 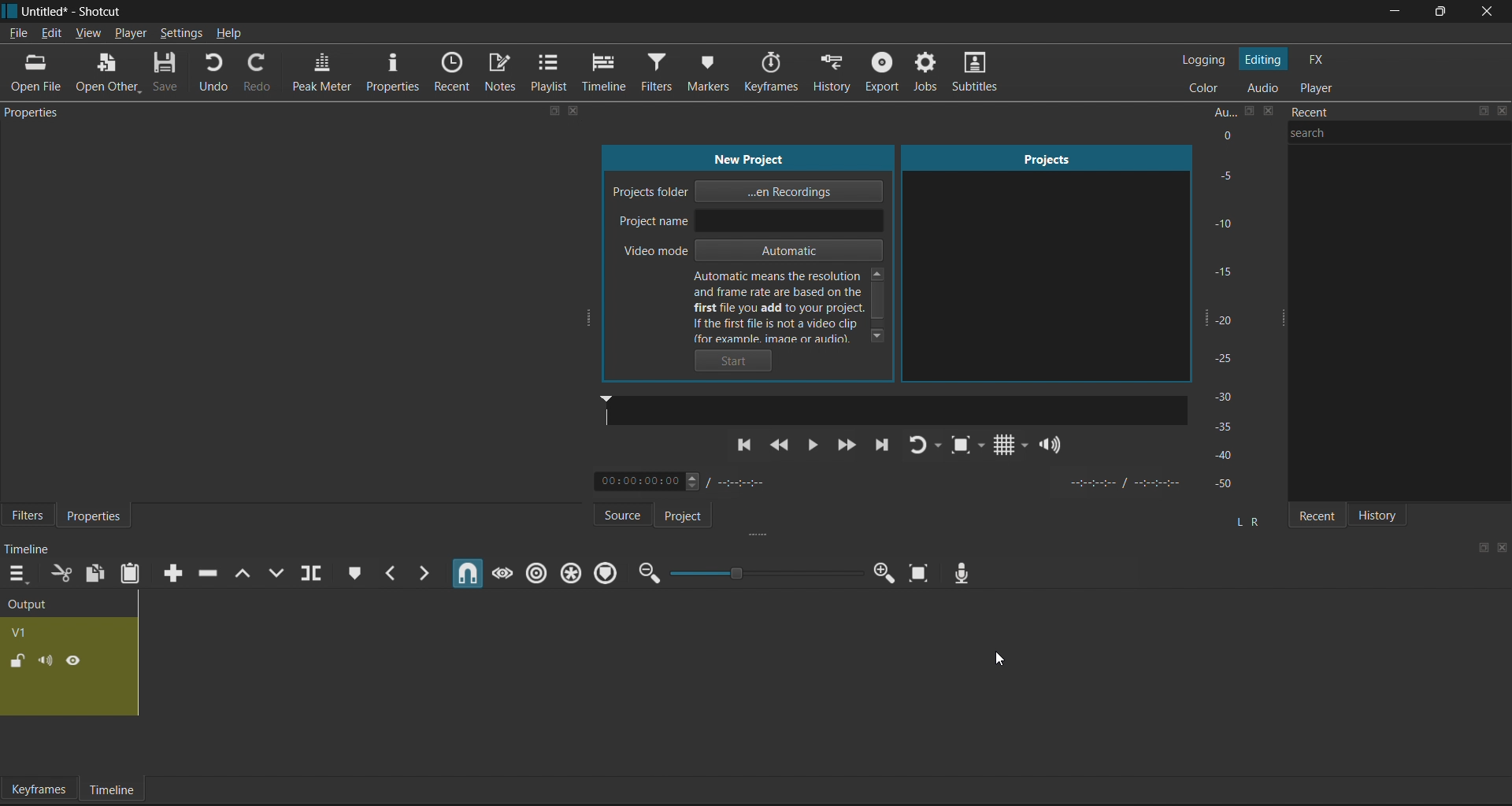 I want to click on Properties, so click(x=393, y=72).